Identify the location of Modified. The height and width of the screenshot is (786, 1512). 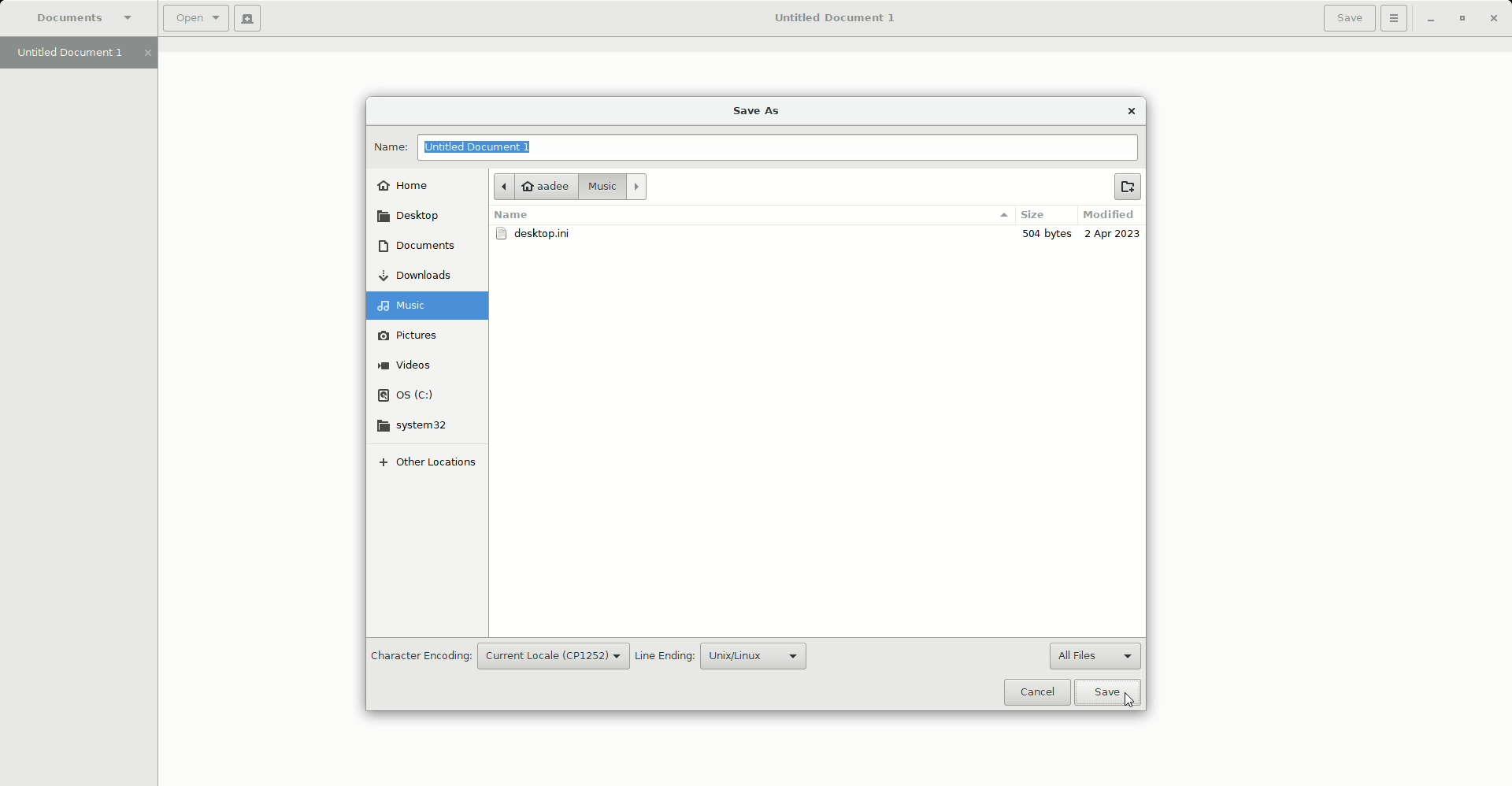
(1108, 214).